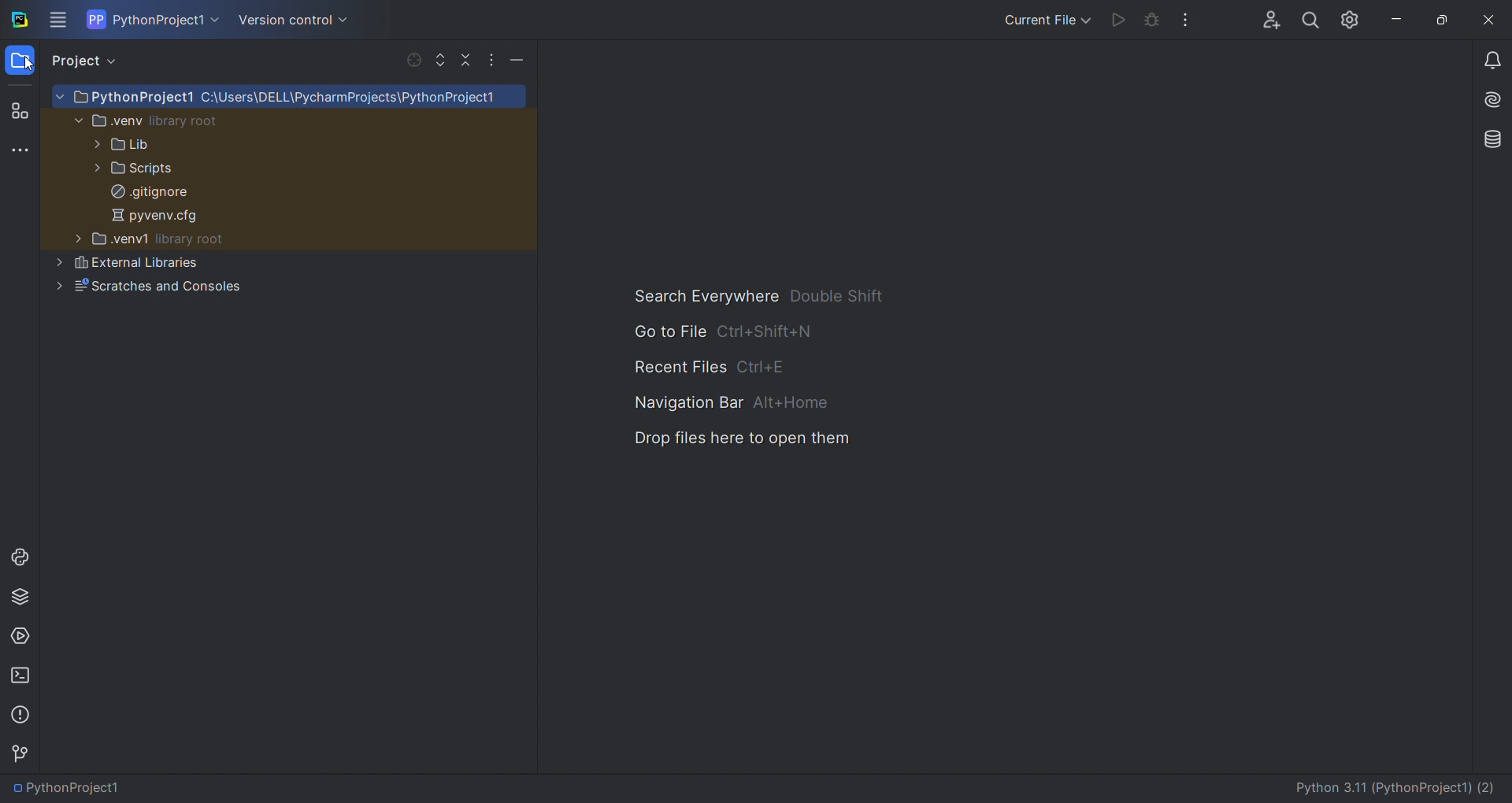 This screenshot has width=1512, height=803. What do you see at coordinates (19, 149) in the screenshot?
I see `more tools window` at bounding box center [19, 149].